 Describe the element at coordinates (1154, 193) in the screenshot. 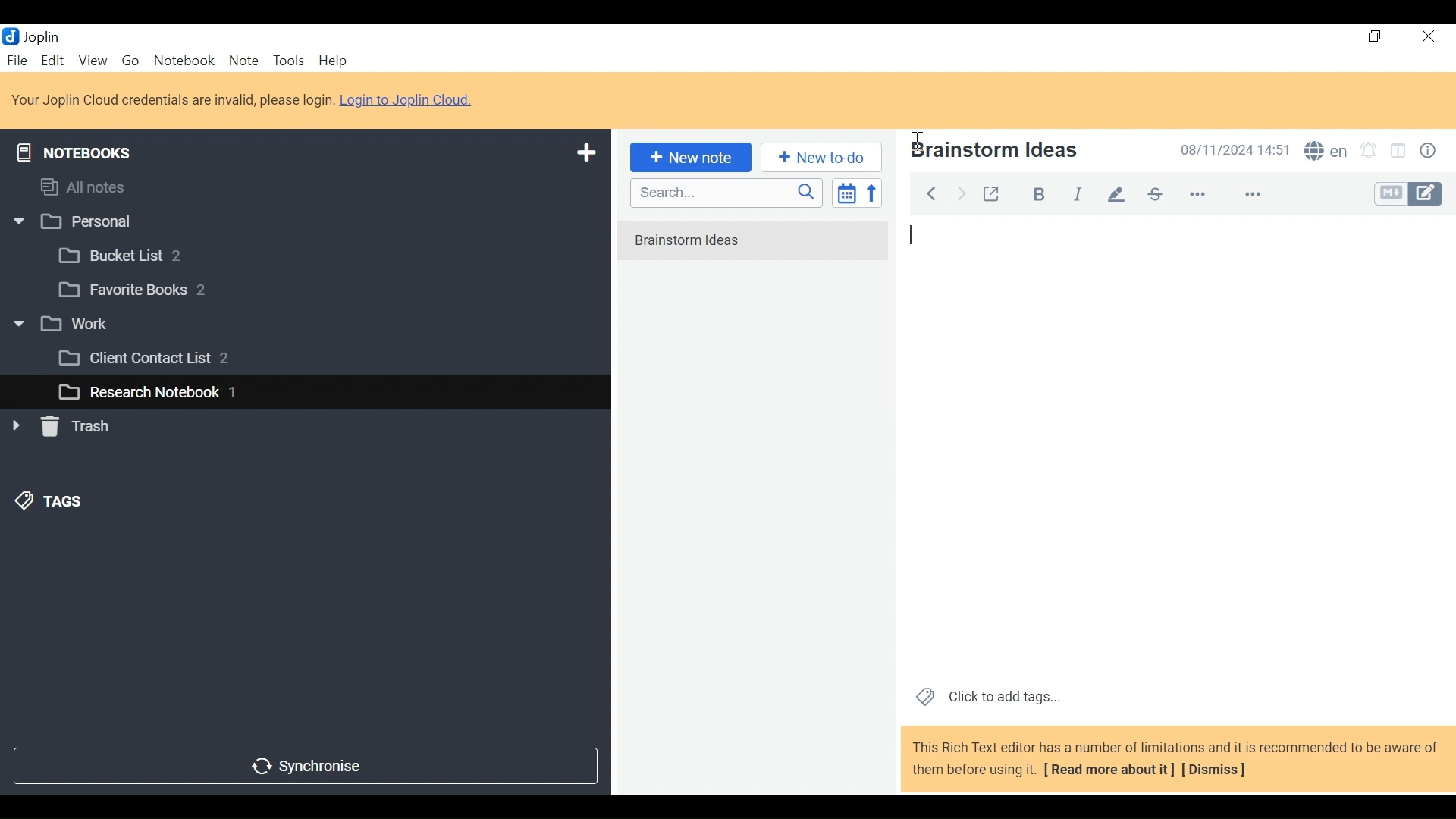

I see `strikethrough` at that location.